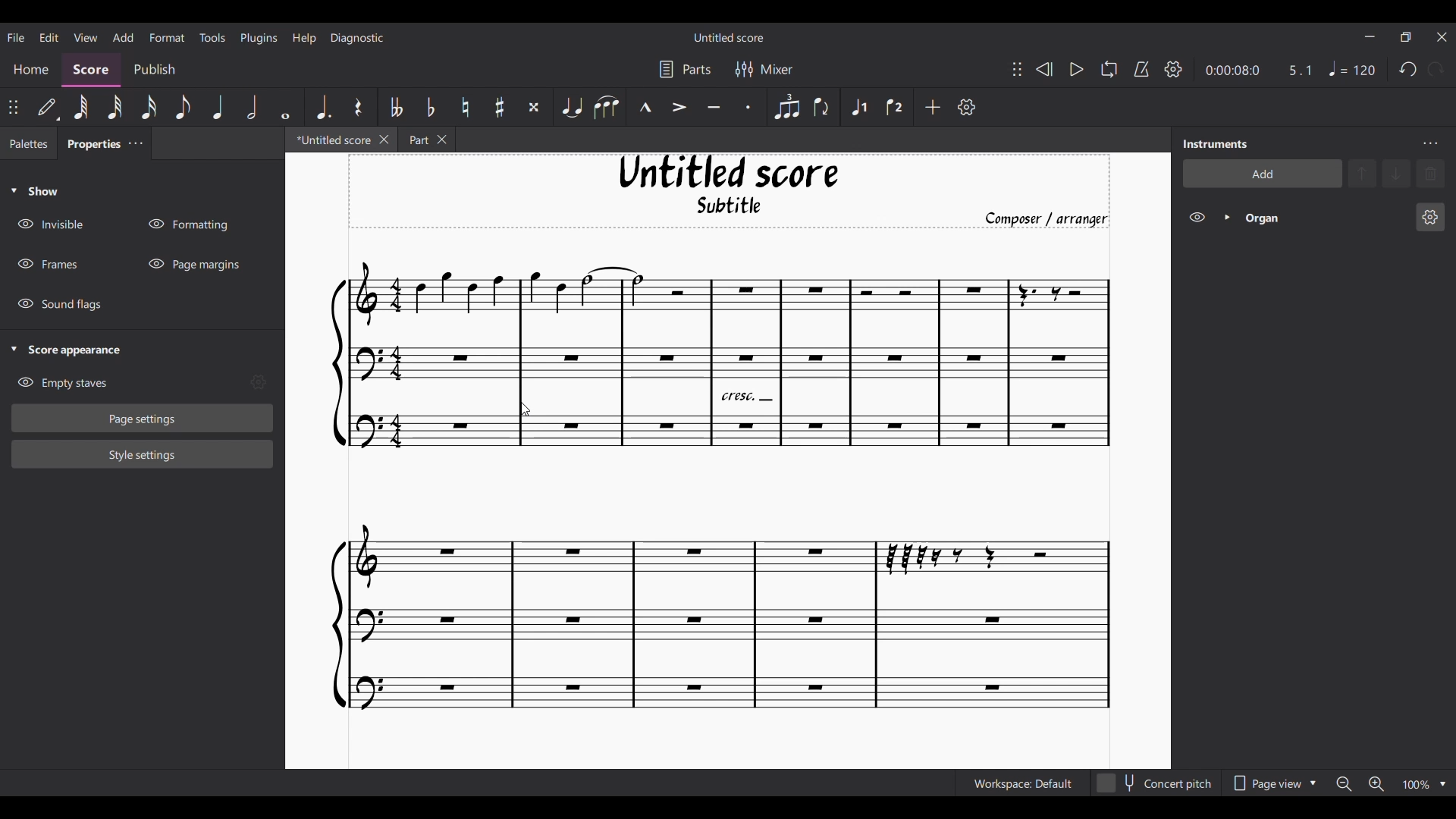  Describe the element at coordinates (123, 36) in the screenshot. I see `Add menu` at that location.